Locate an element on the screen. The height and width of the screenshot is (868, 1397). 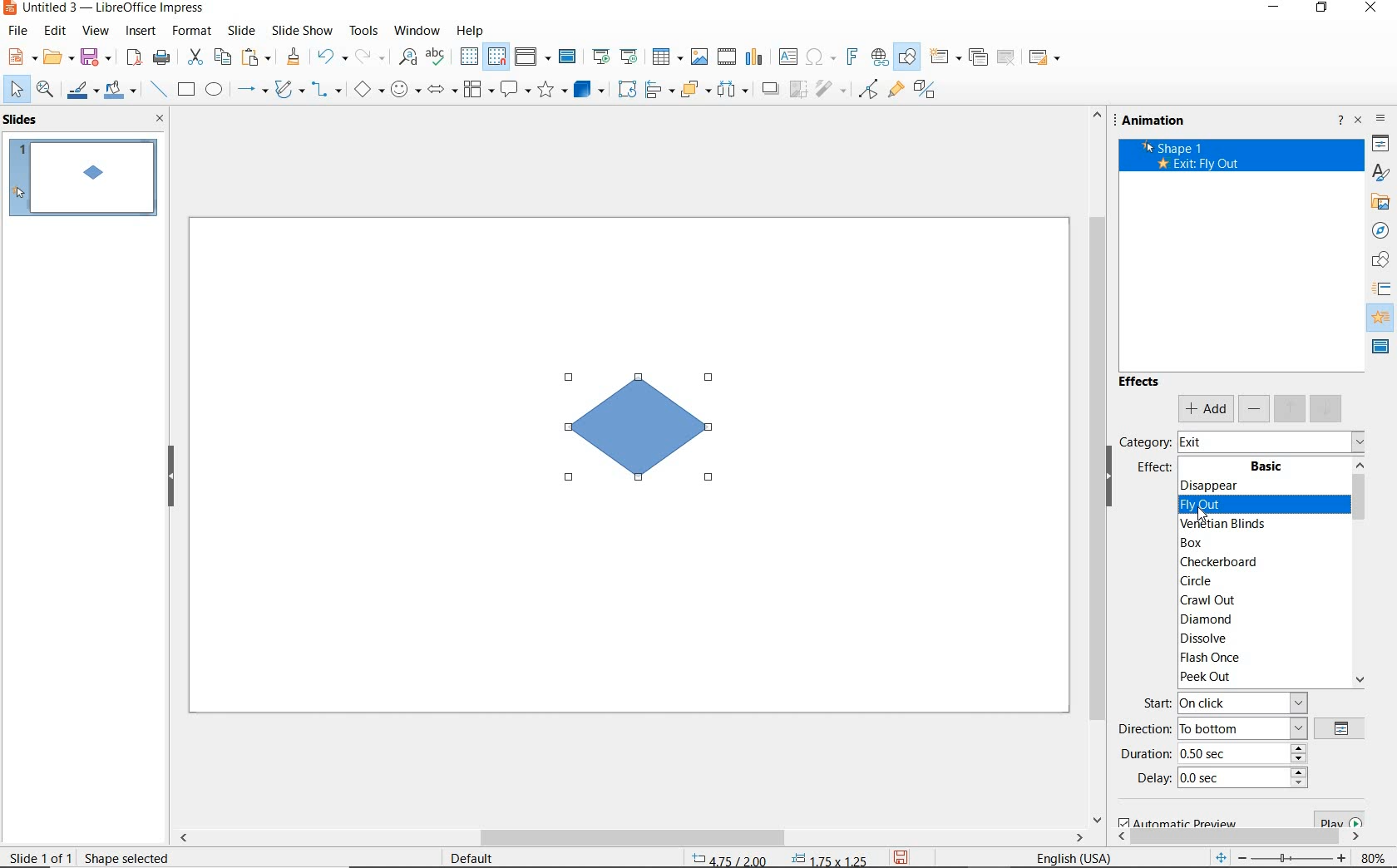
start from first slide is located at coordinates (602, 57).